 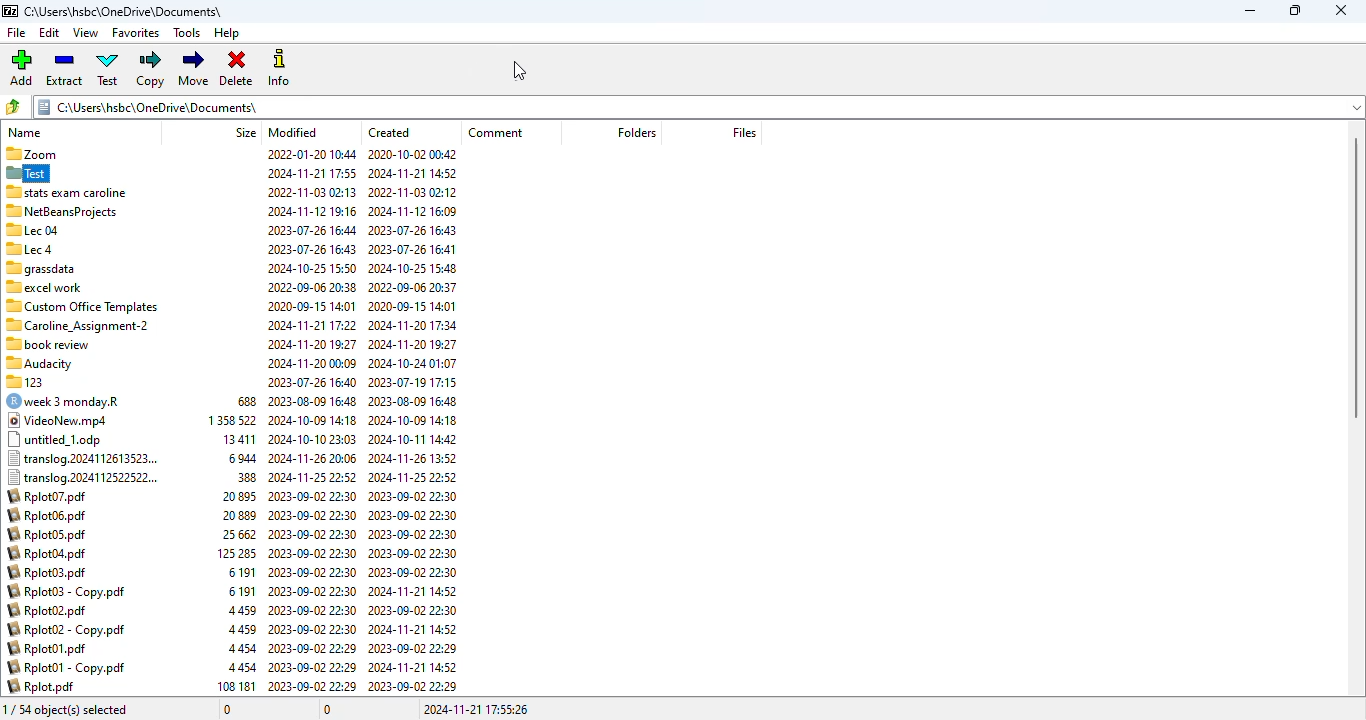 I want to click on add, so click(x=20, y=67).